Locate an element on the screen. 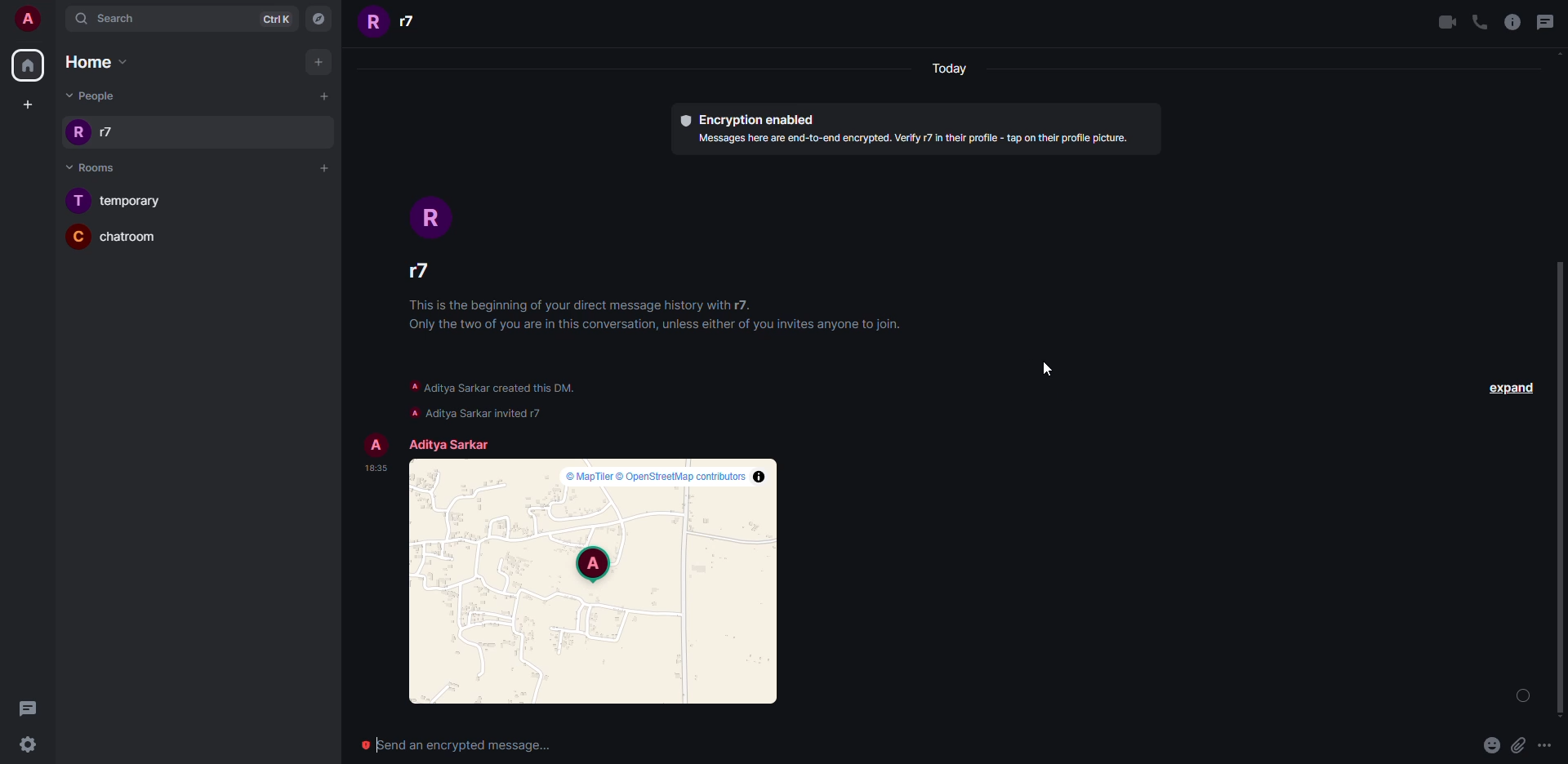  Cursor is located at coordinates (1048, 370).